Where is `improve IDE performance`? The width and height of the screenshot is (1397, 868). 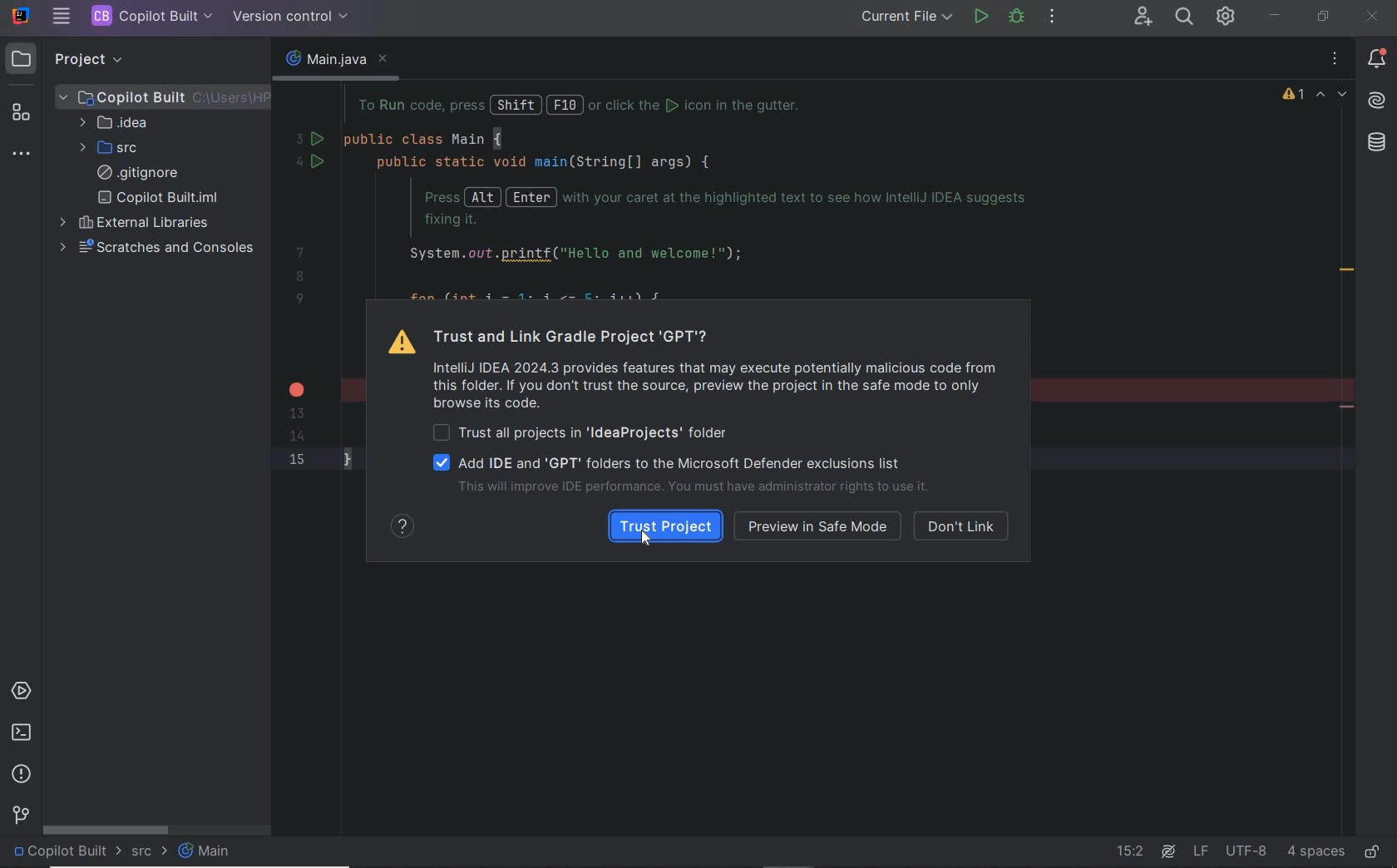
improve IDE performance is located at coordinates (691, 491).